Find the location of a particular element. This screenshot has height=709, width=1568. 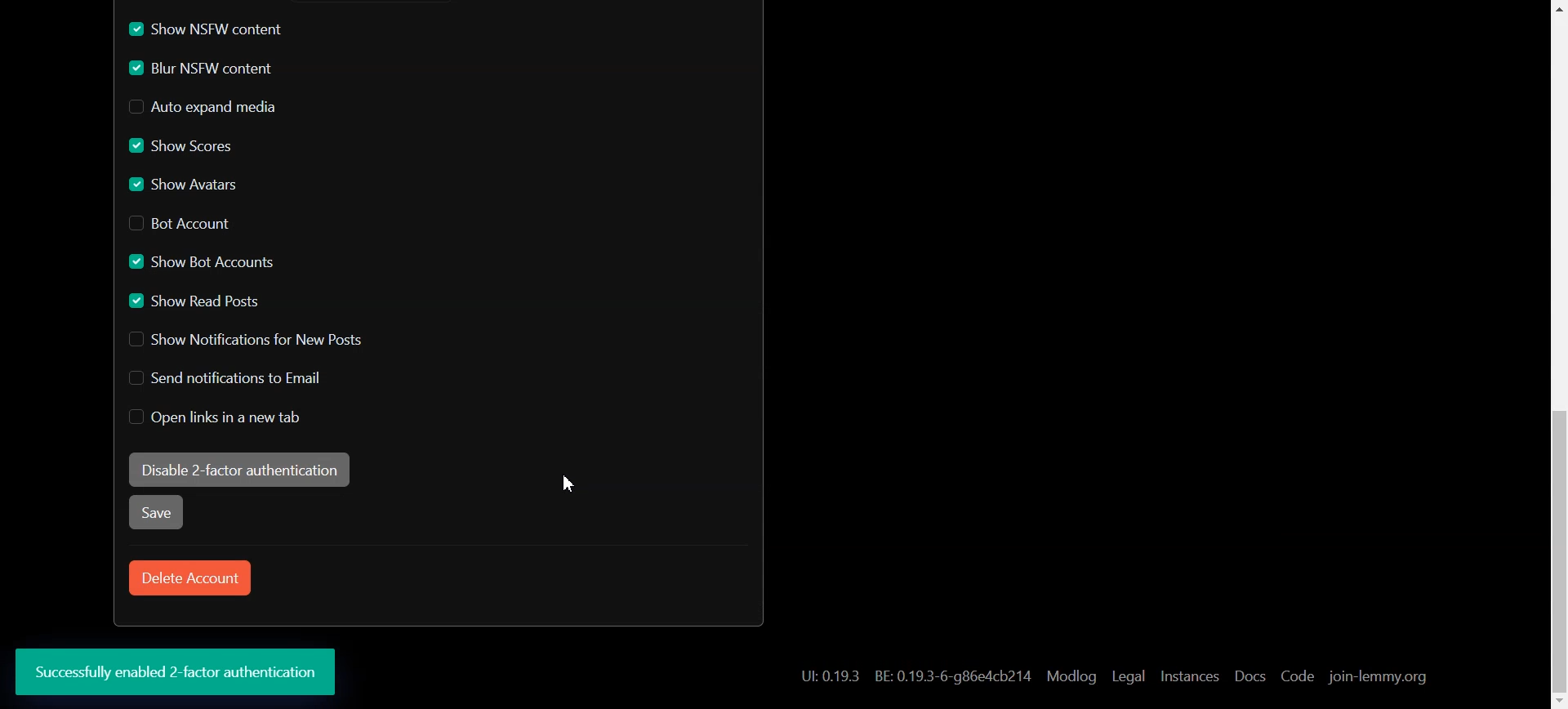

join-lemmy.org is located at coordinates (1377, 676).